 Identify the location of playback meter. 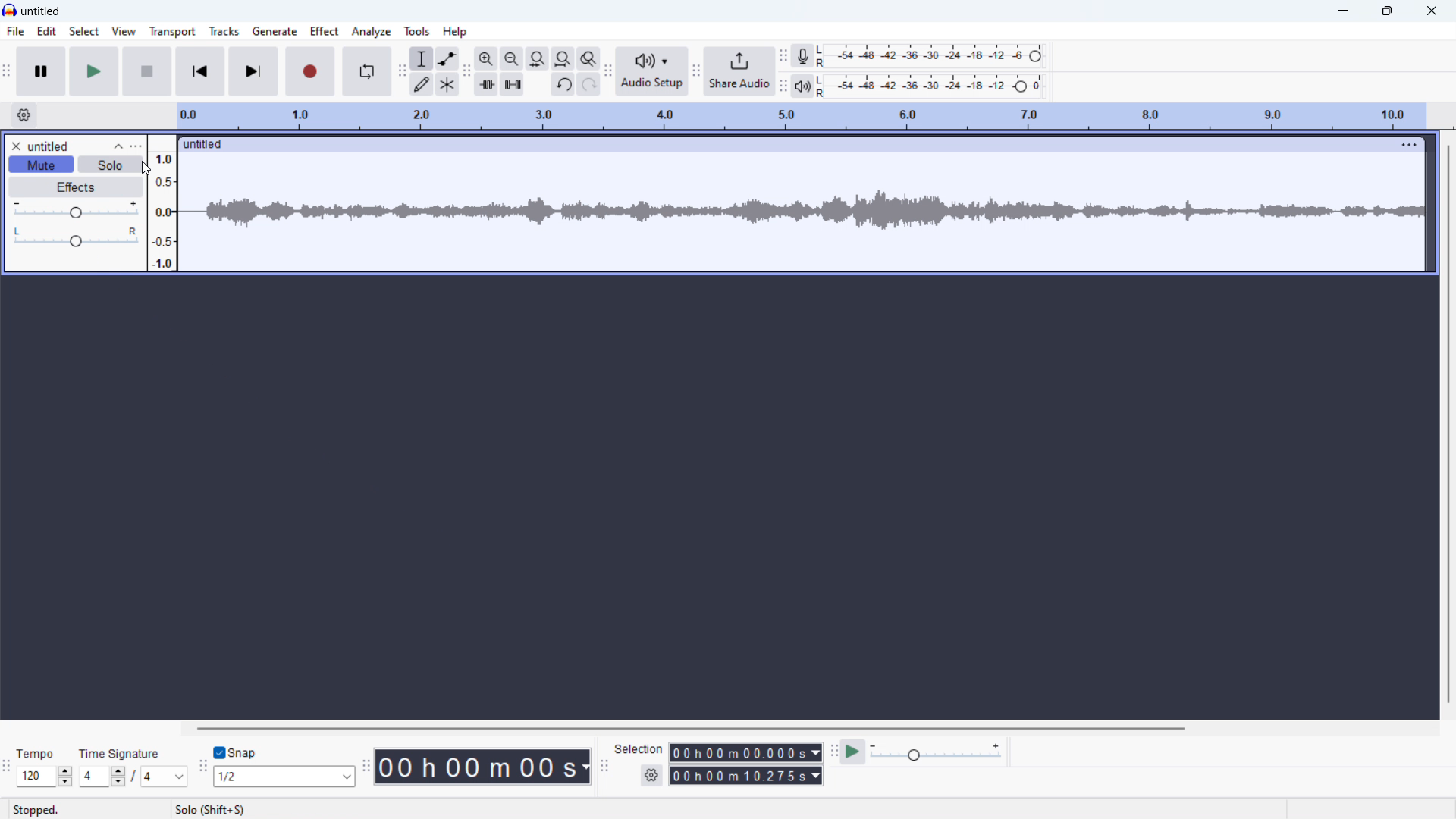
(802, 86).